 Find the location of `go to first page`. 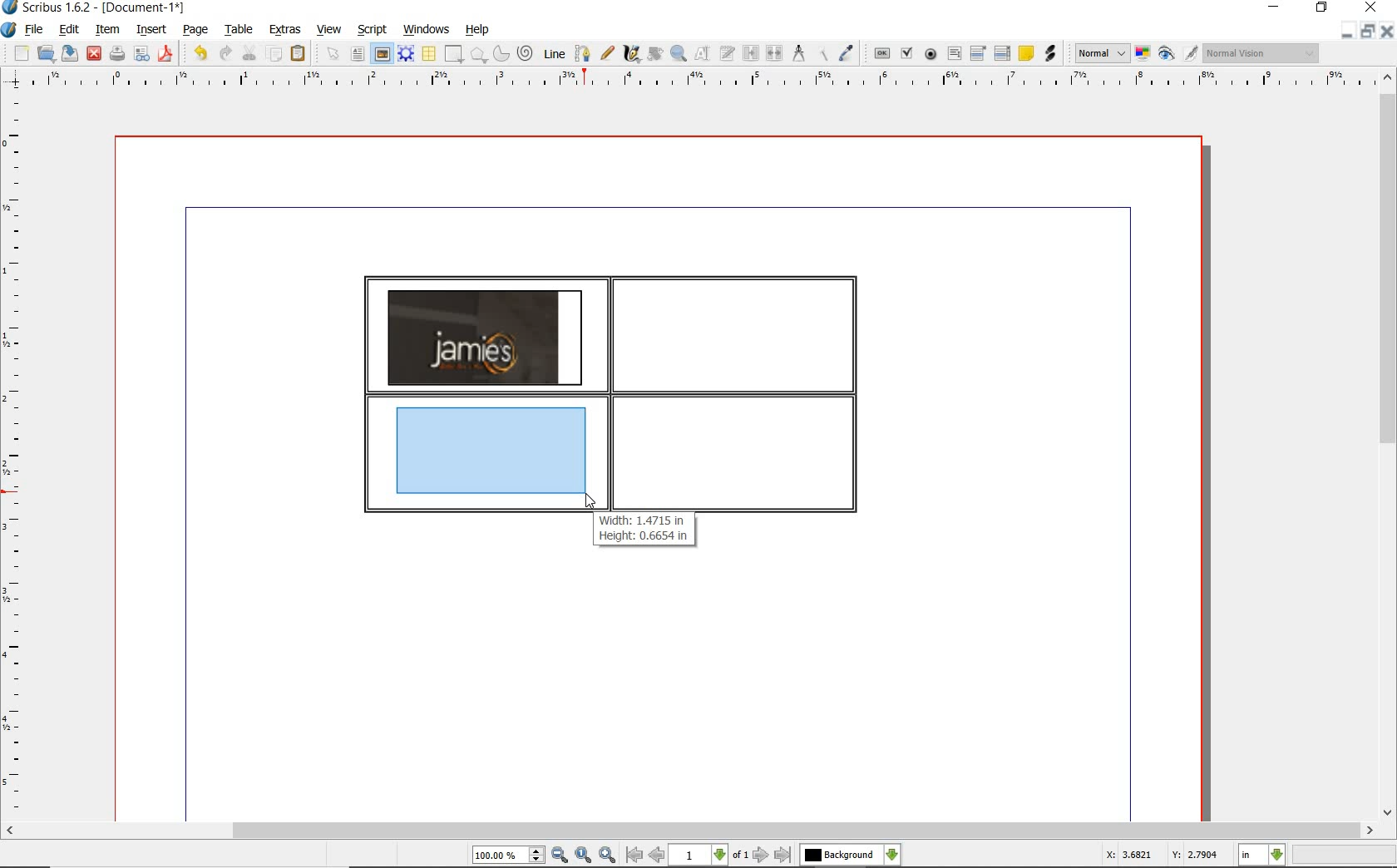

go to first page is located at coordinates (634, 856).